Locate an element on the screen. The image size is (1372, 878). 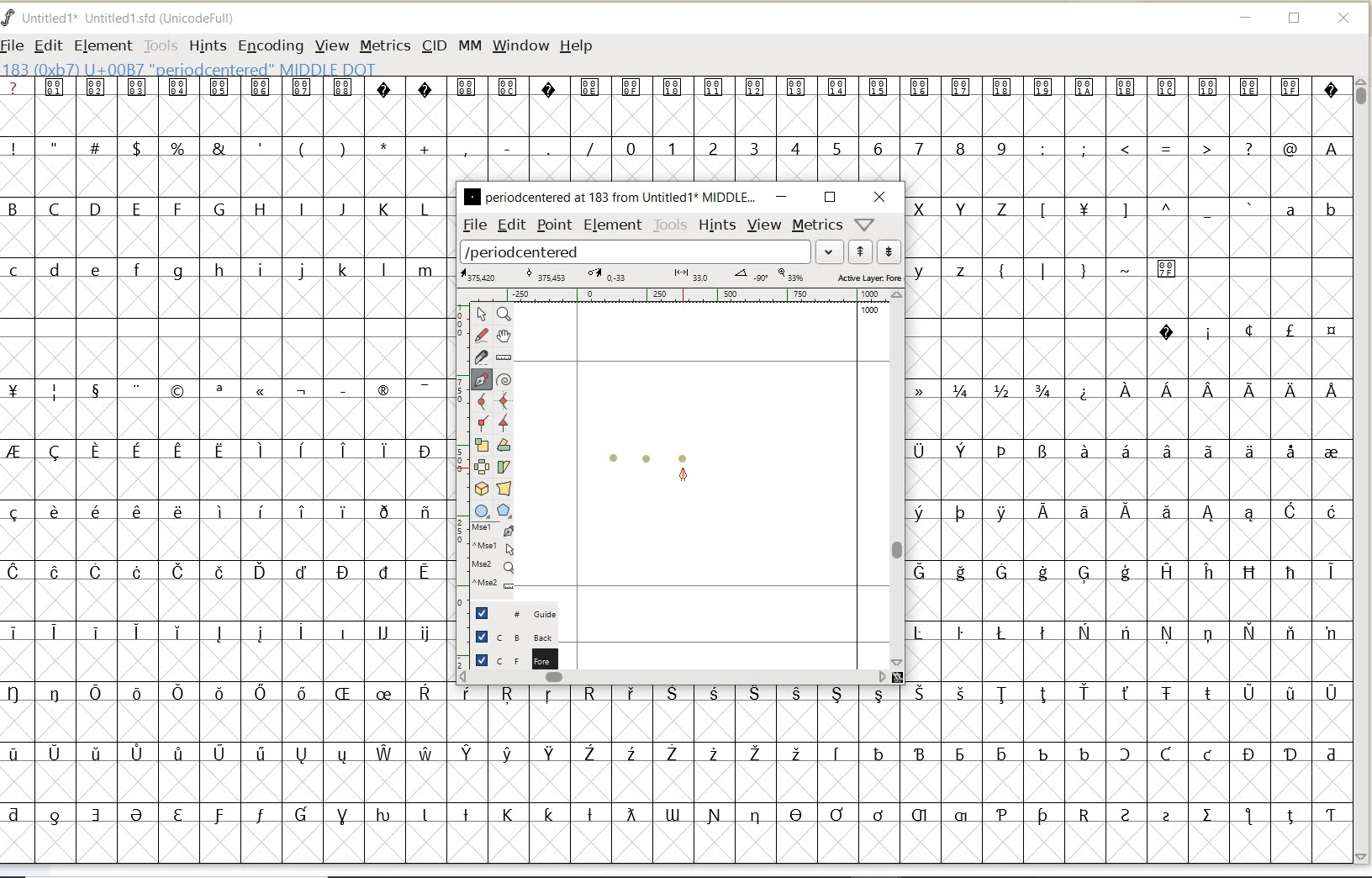
scrollbar is located at coordinates (899, 478).